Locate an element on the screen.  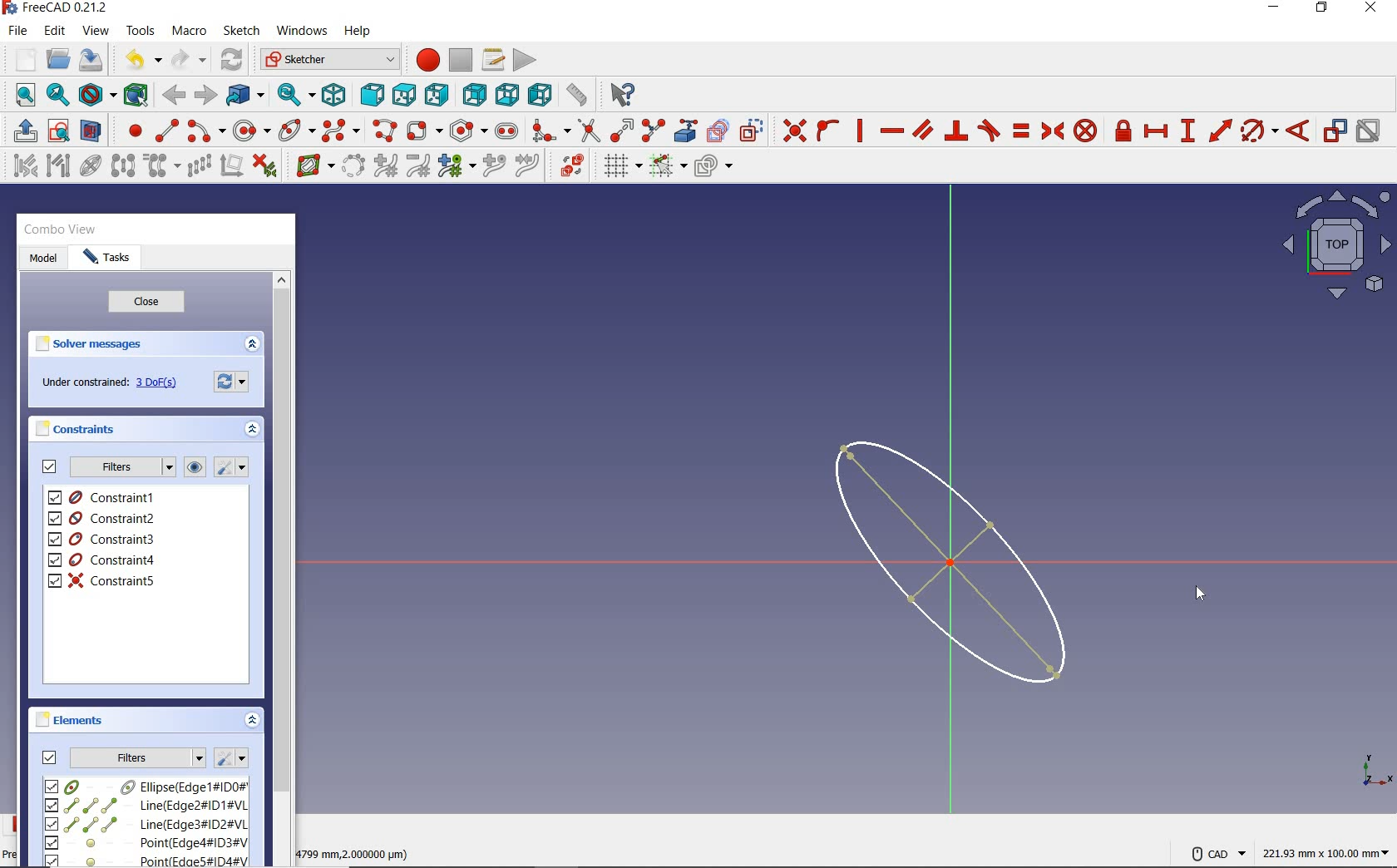
view sketch is located at coordinates (60, 129).